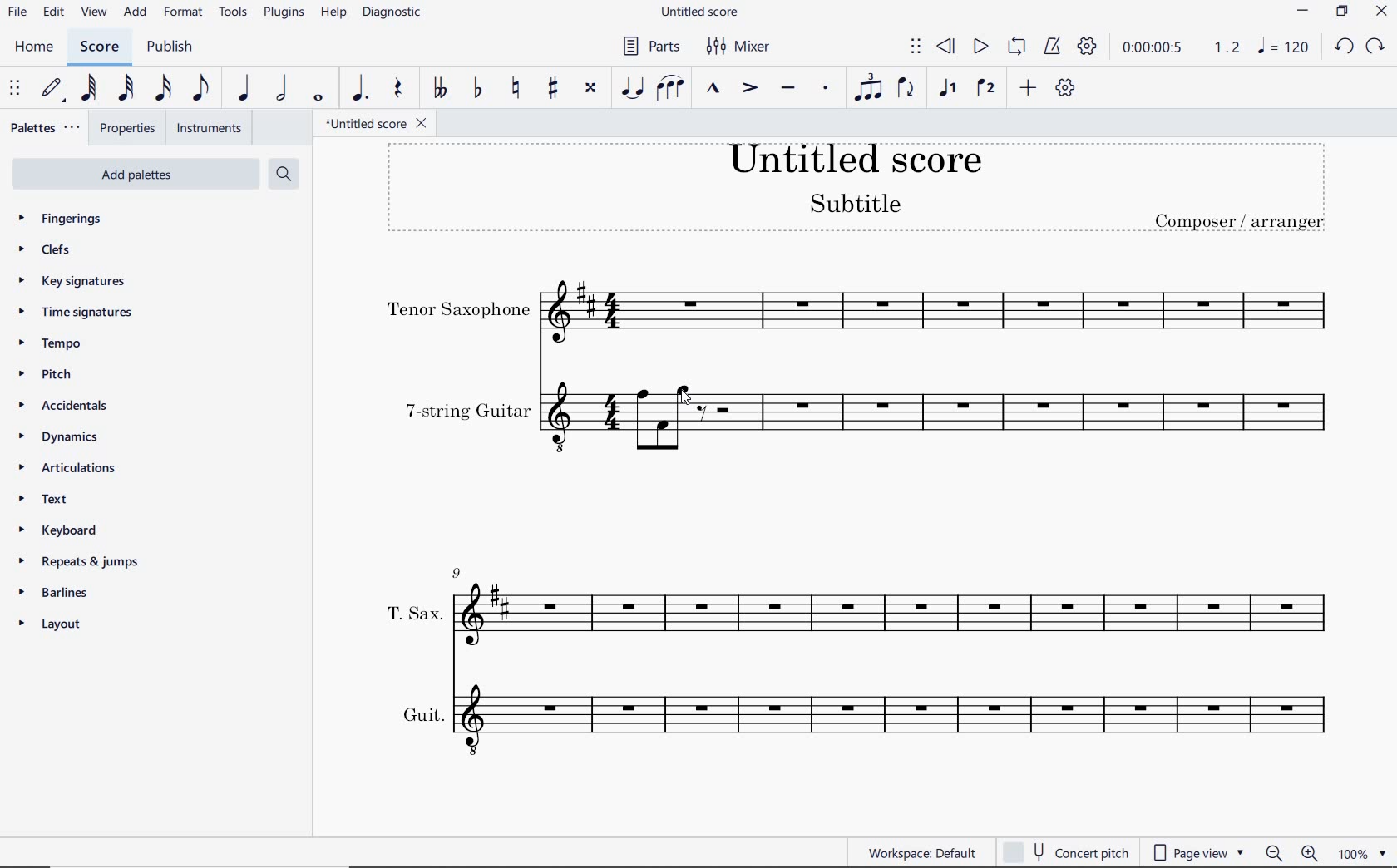 This screenshot has width=1397, height=868. What do you see at coordinates (906, 88) in the screenshot?
I see `FLIP DIRECTION` at bounding box center [906, 88].